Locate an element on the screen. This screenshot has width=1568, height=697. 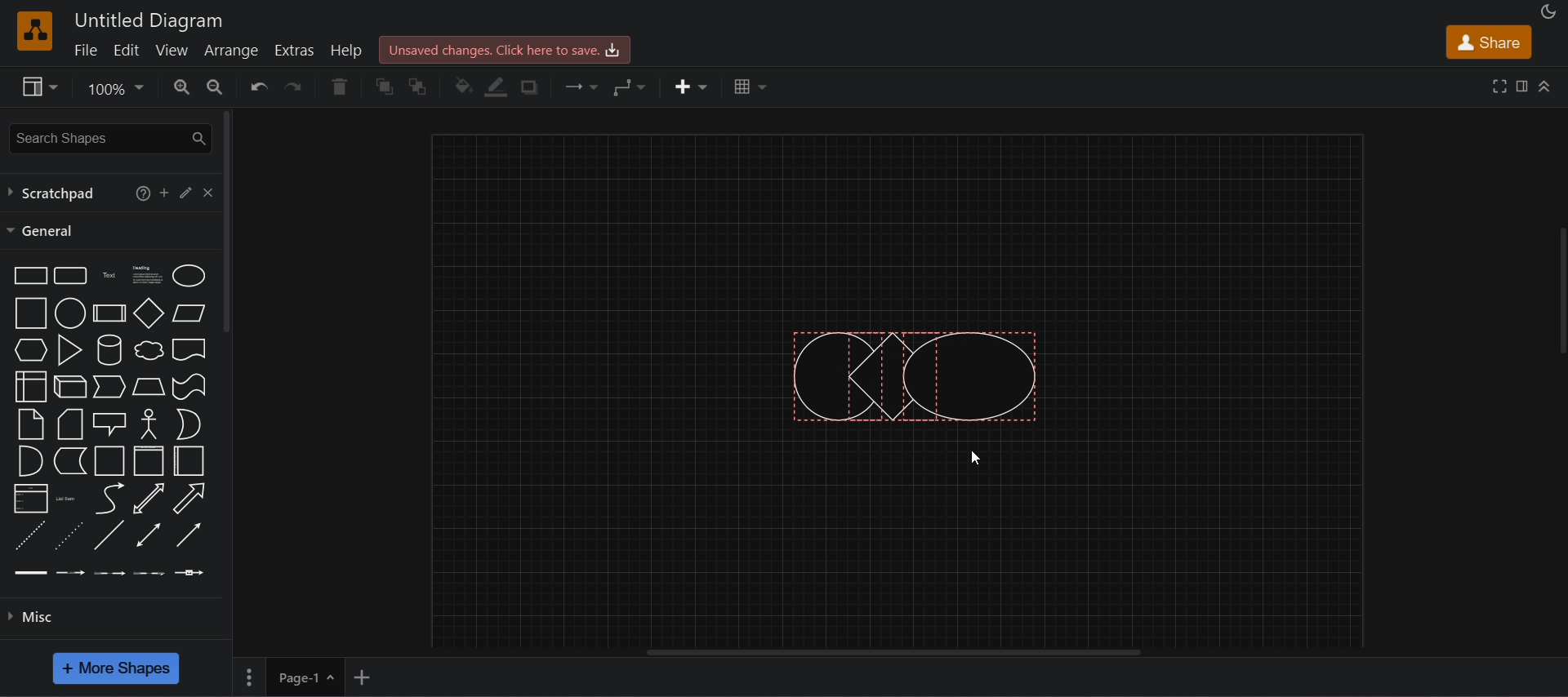
fullscreen is located at coordinates (1500, 85).